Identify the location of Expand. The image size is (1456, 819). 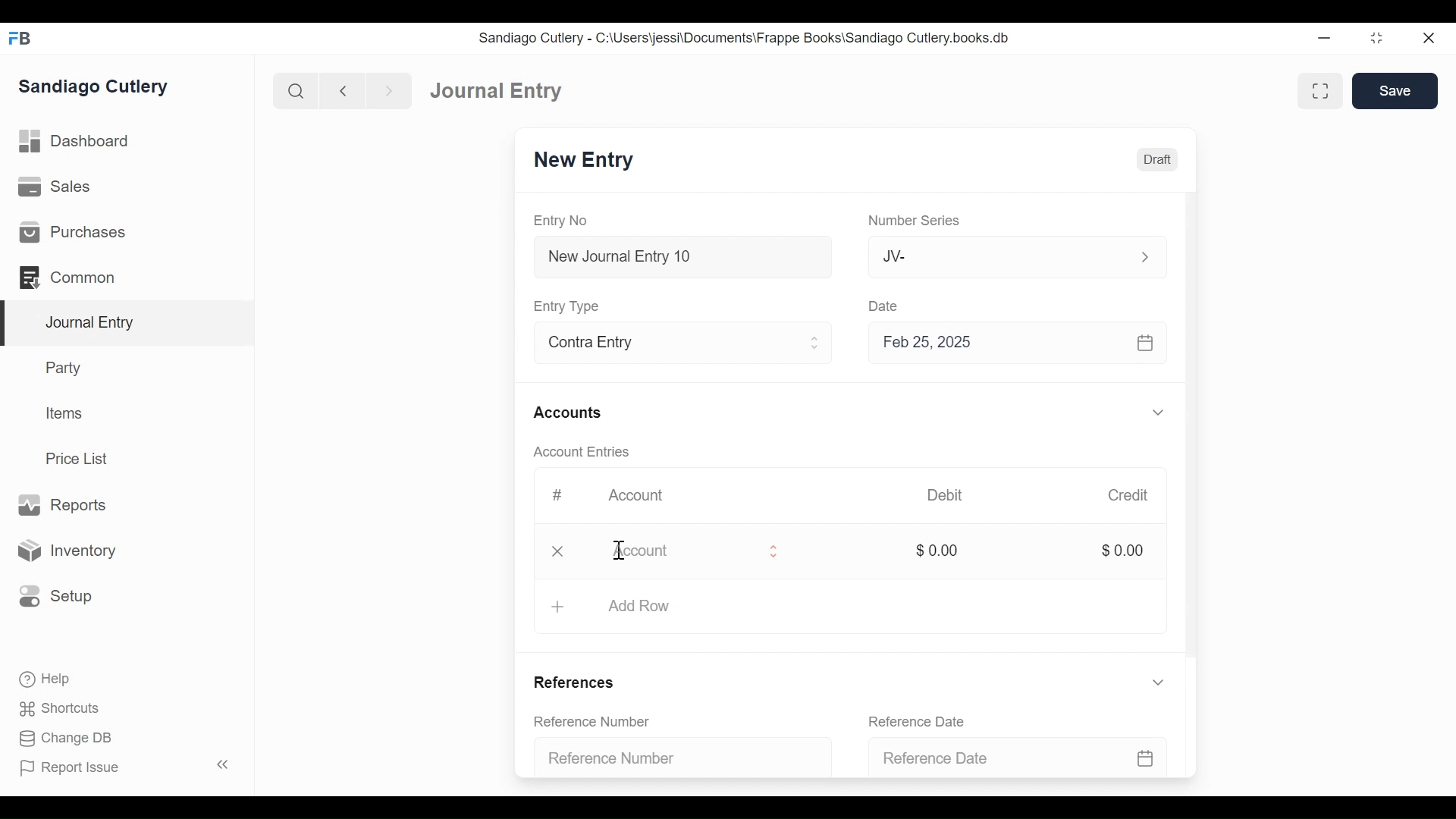
(1160, 685).